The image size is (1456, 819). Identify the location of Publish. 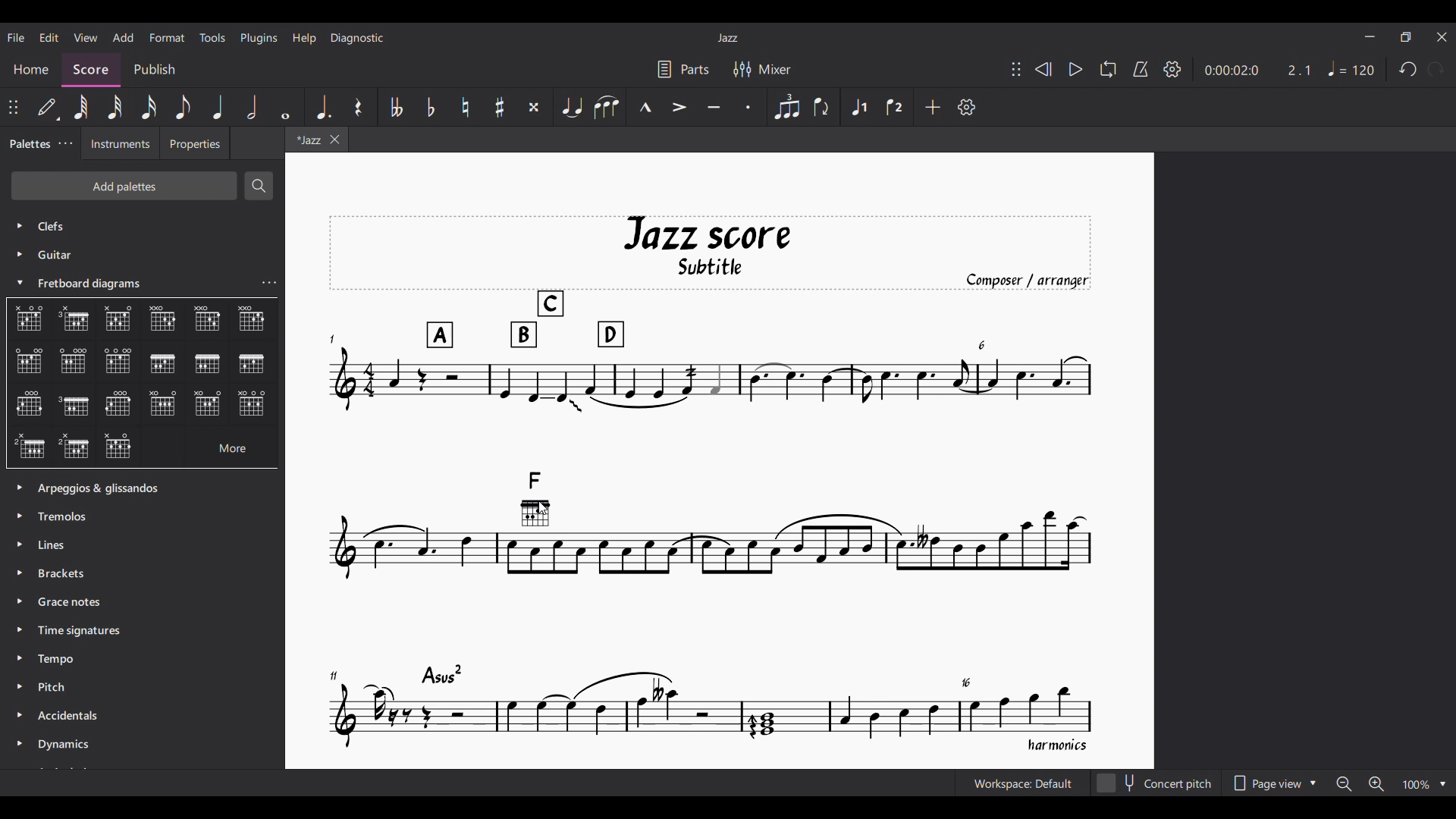
(154, 67).